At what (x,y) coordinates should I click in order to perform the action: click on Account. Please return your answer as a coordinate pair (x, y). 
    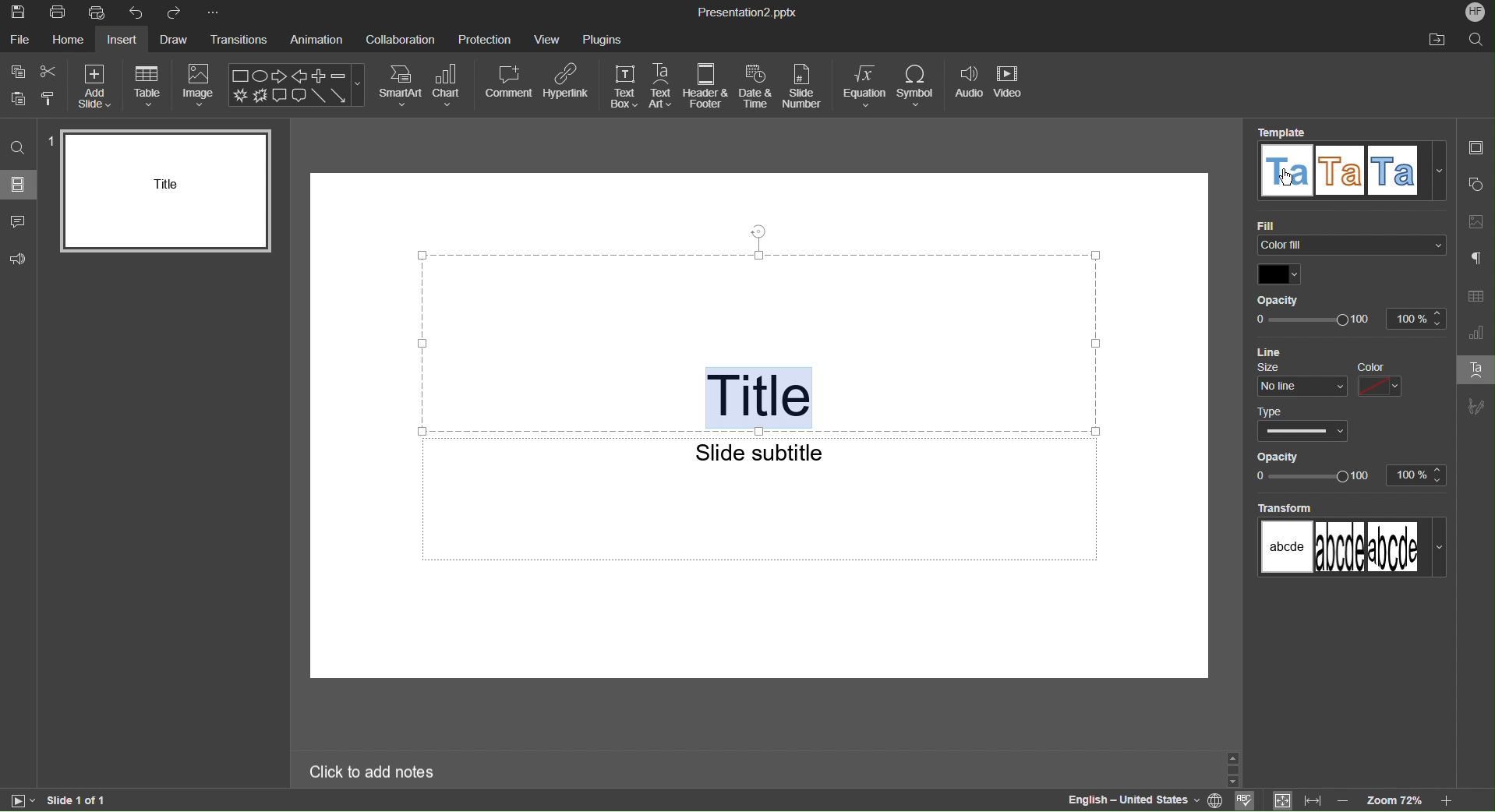
    Looking at the image, I should click on (1476, 12).